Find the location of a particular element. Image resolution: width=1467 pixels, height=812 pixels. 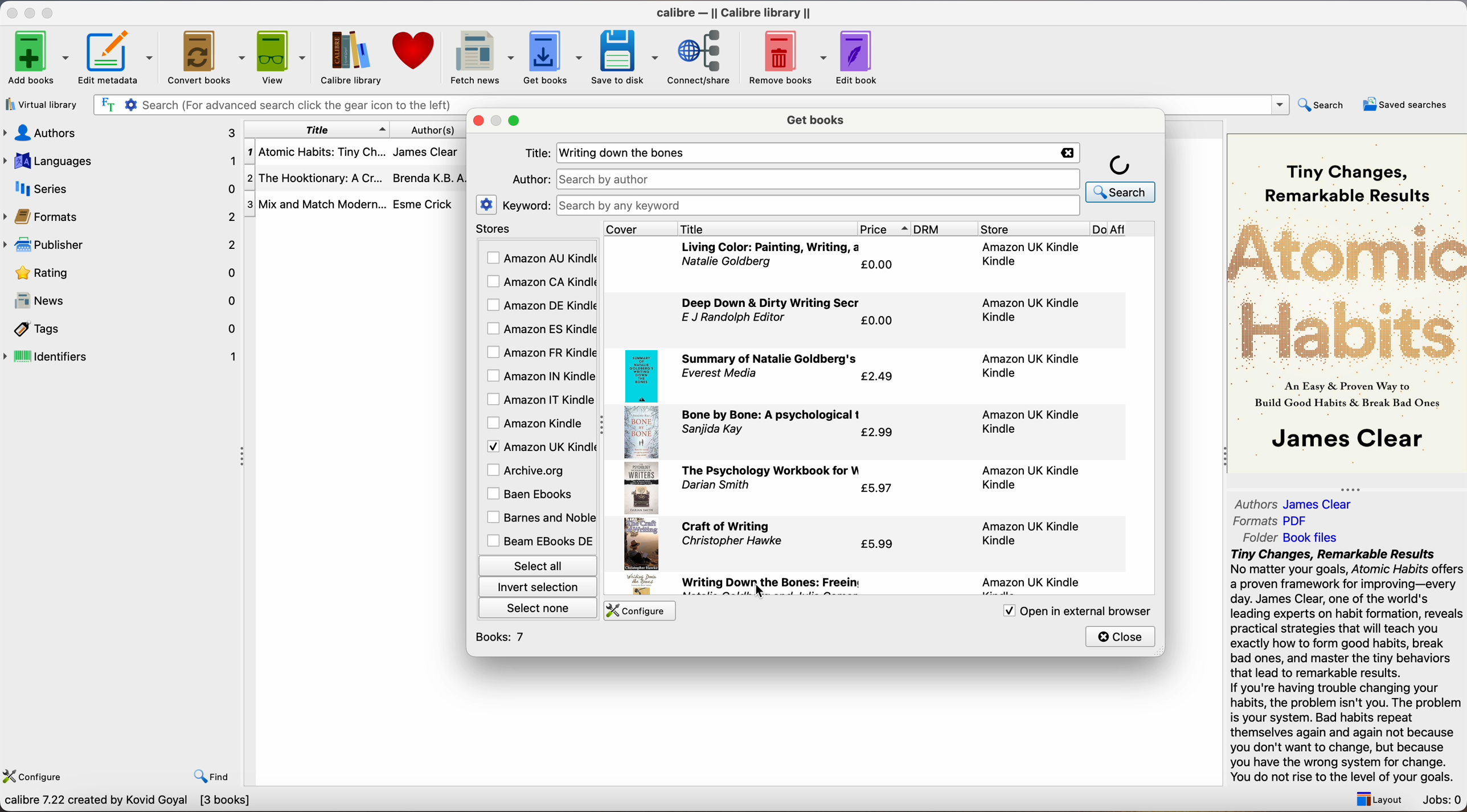

summary of Natalie Goldberg's is located at coordinates (771, 359).